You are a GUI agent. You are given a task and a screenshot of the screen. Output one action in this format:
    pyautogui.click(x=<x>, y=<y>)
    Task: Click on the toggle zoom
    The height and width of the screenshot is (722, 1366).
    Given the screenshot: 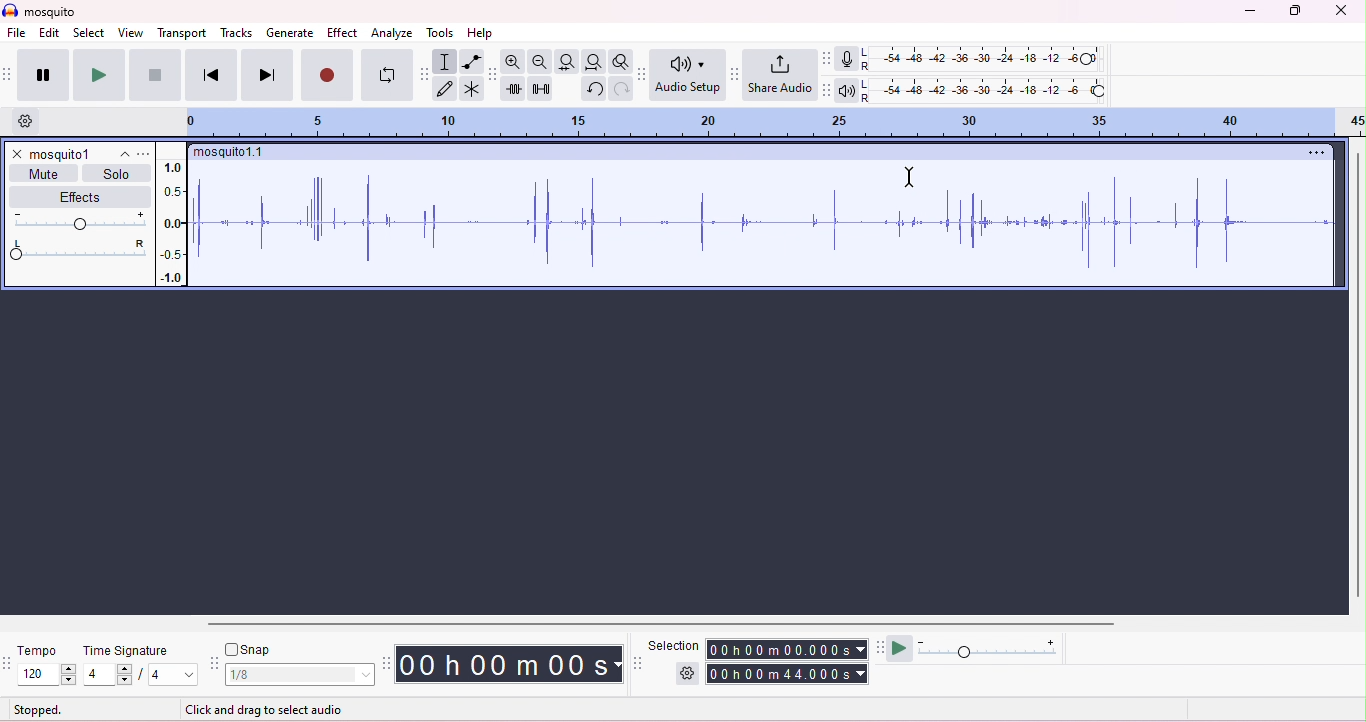 What is the action you would take?
    pyautogui.click(x=621, y=60)
    